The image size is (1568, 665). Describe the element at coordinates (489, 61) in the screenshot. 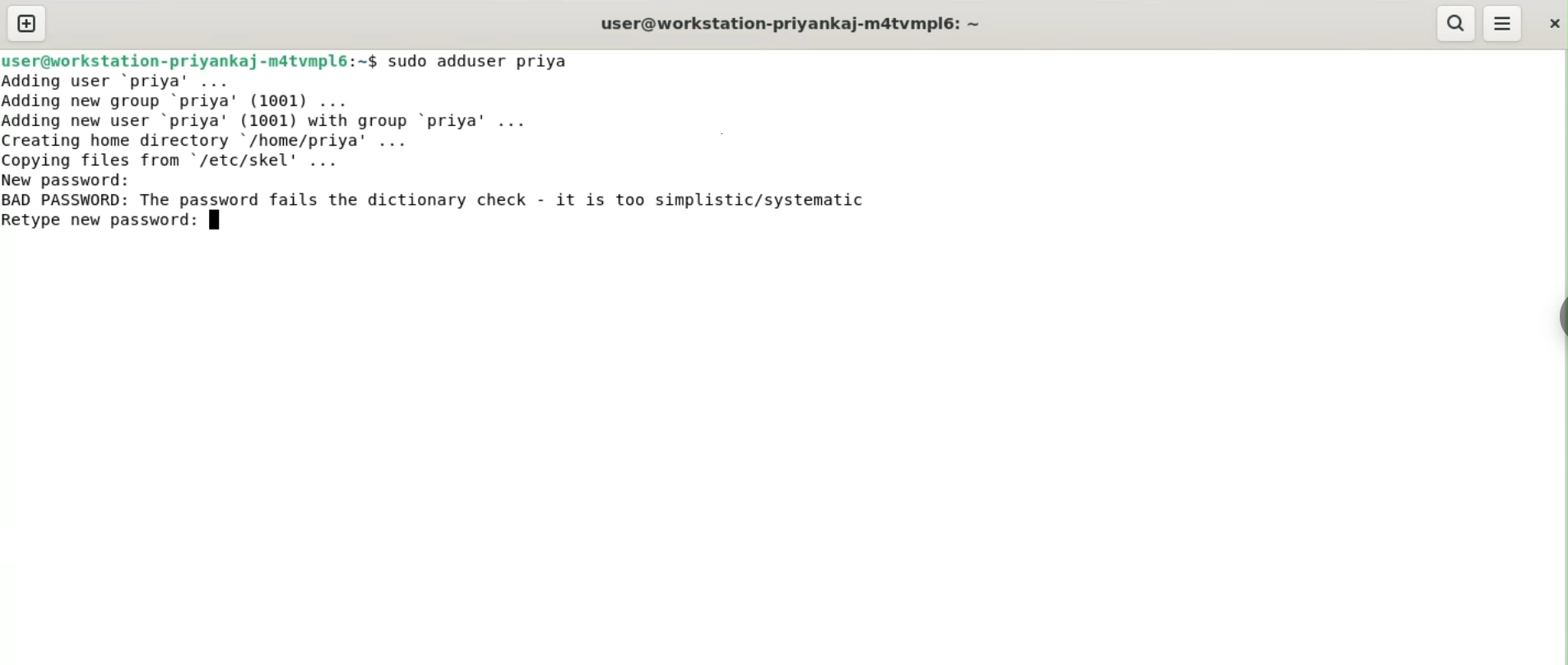

I see `sudo adduser priya` at that location.